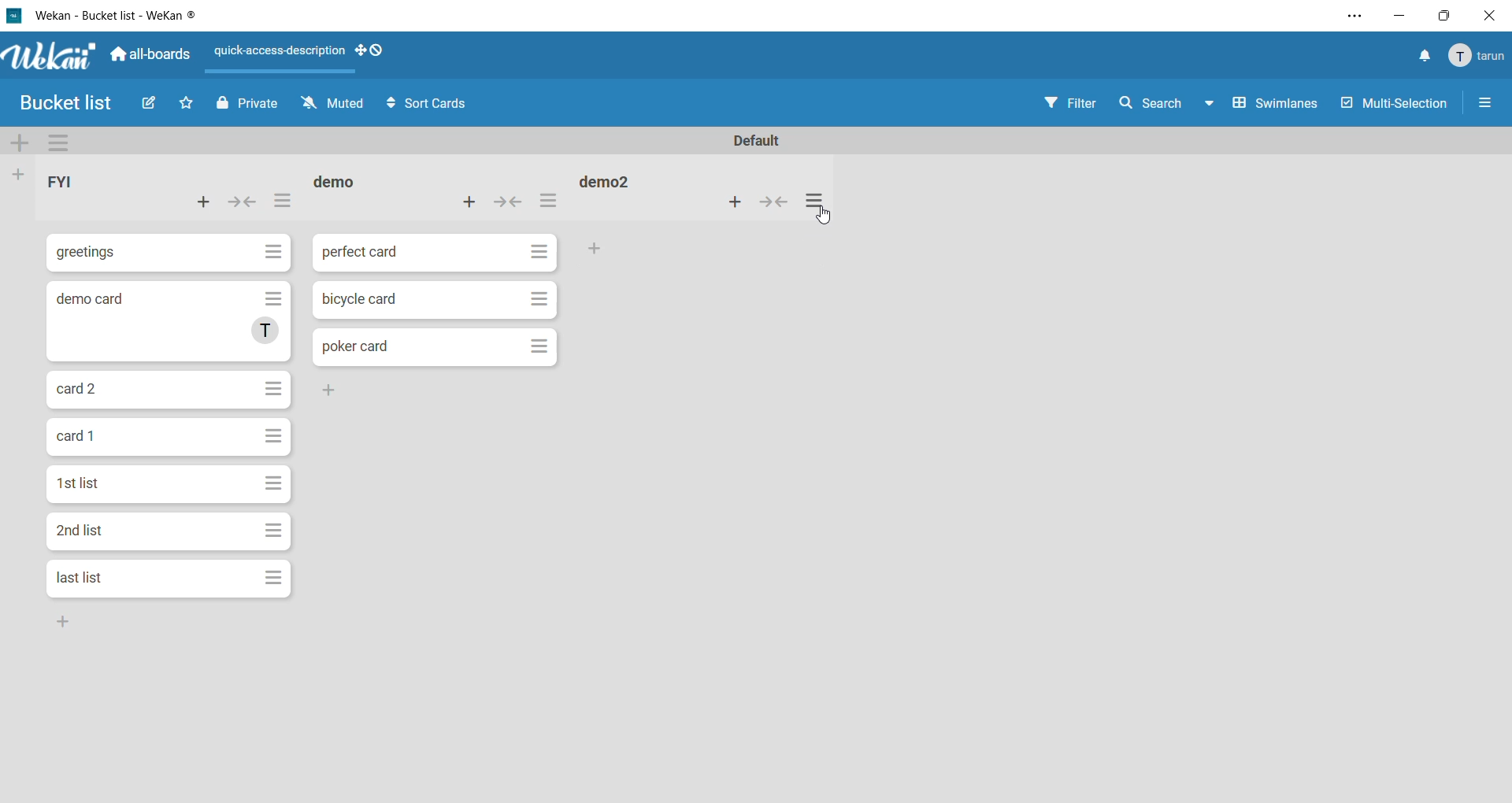 This screenshot has width=1512, height=803. I want to click on cards, so click(173, 532).